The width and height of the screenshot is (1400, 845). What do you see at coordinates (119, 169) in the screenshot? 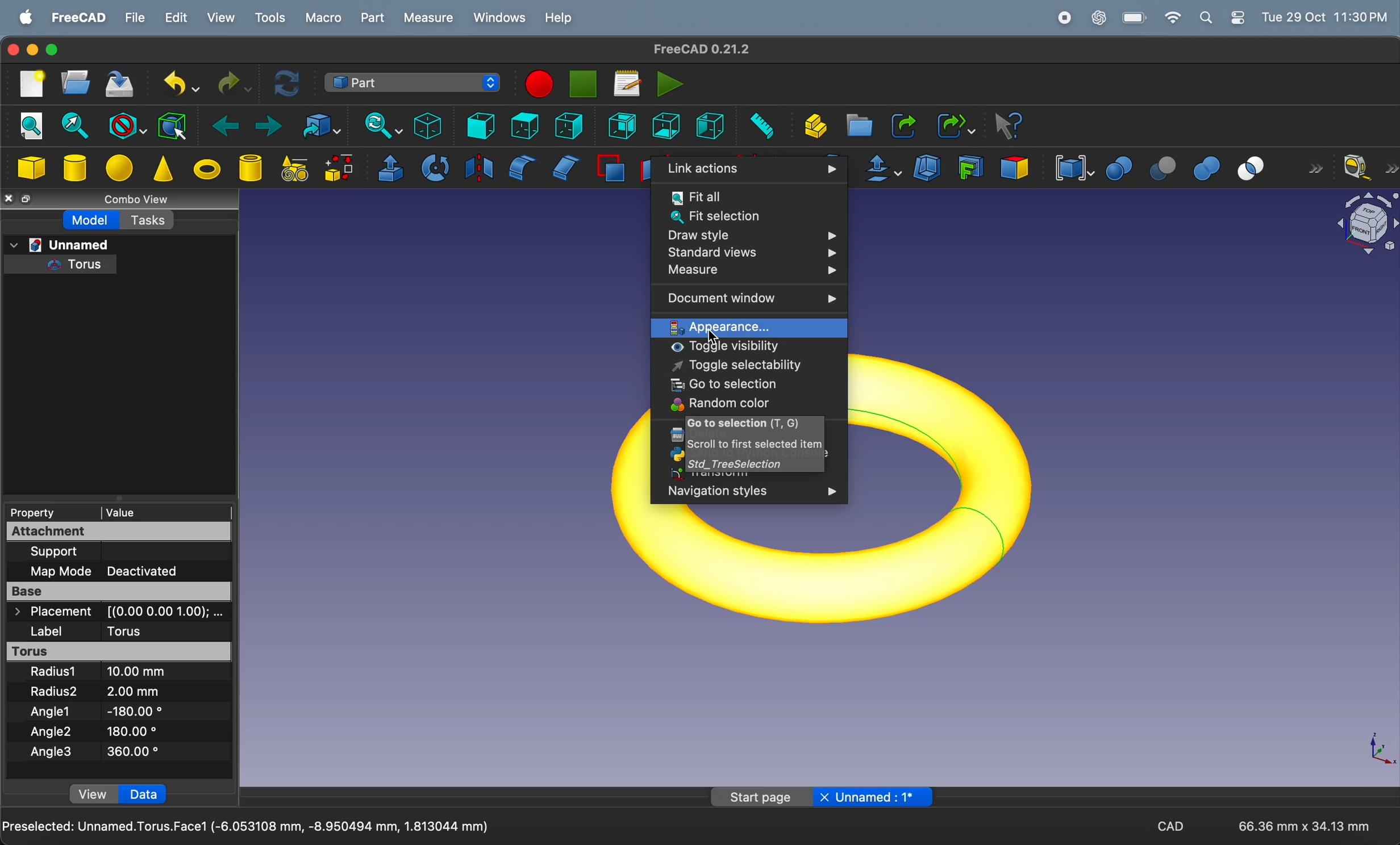
I see `sphere` at bounding box center [119, 169].